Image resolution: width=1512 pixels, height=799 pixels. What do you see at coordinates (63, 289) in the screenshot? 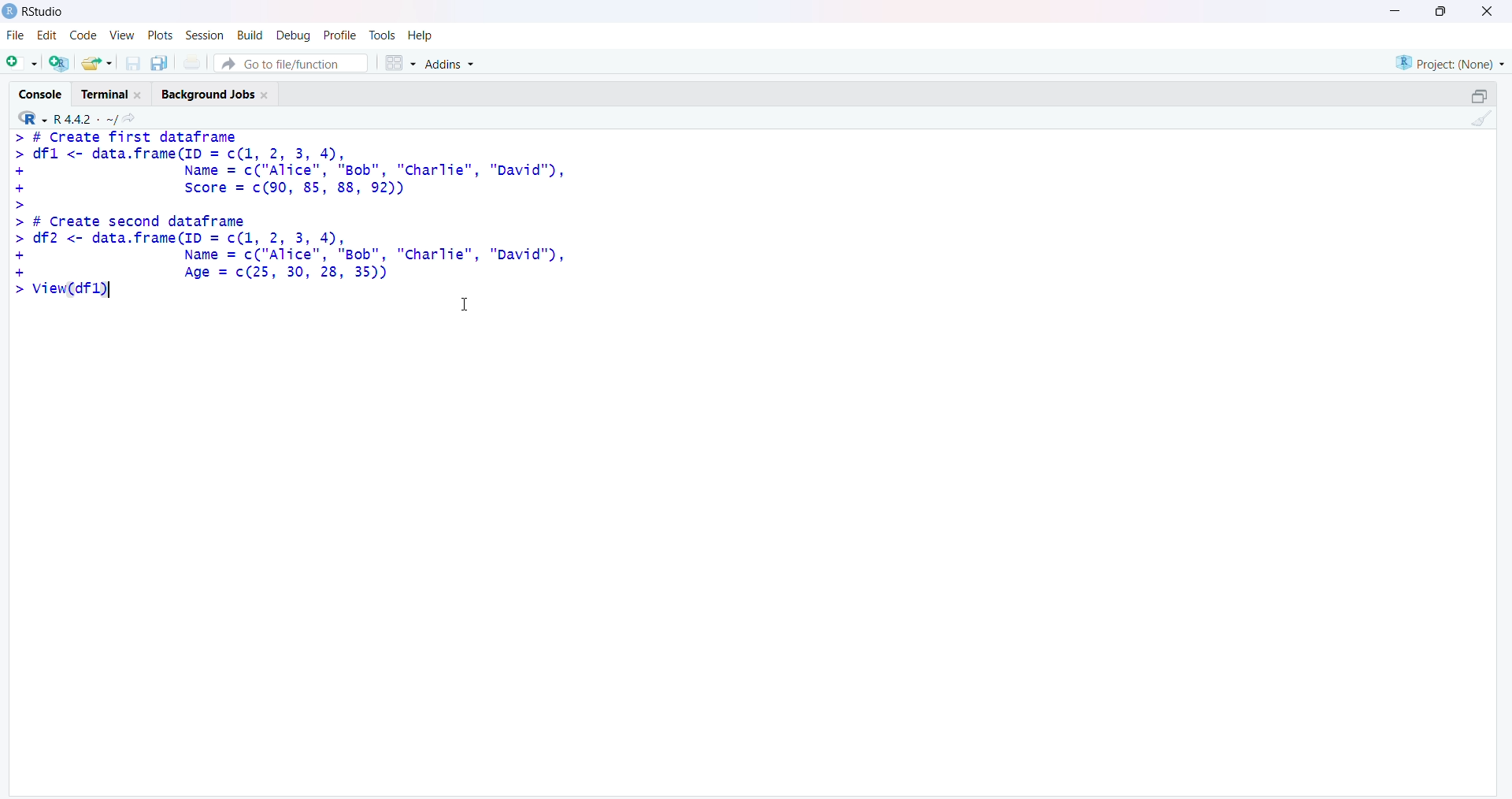
I see `> View(df1)` at bounding box center [63, 289].